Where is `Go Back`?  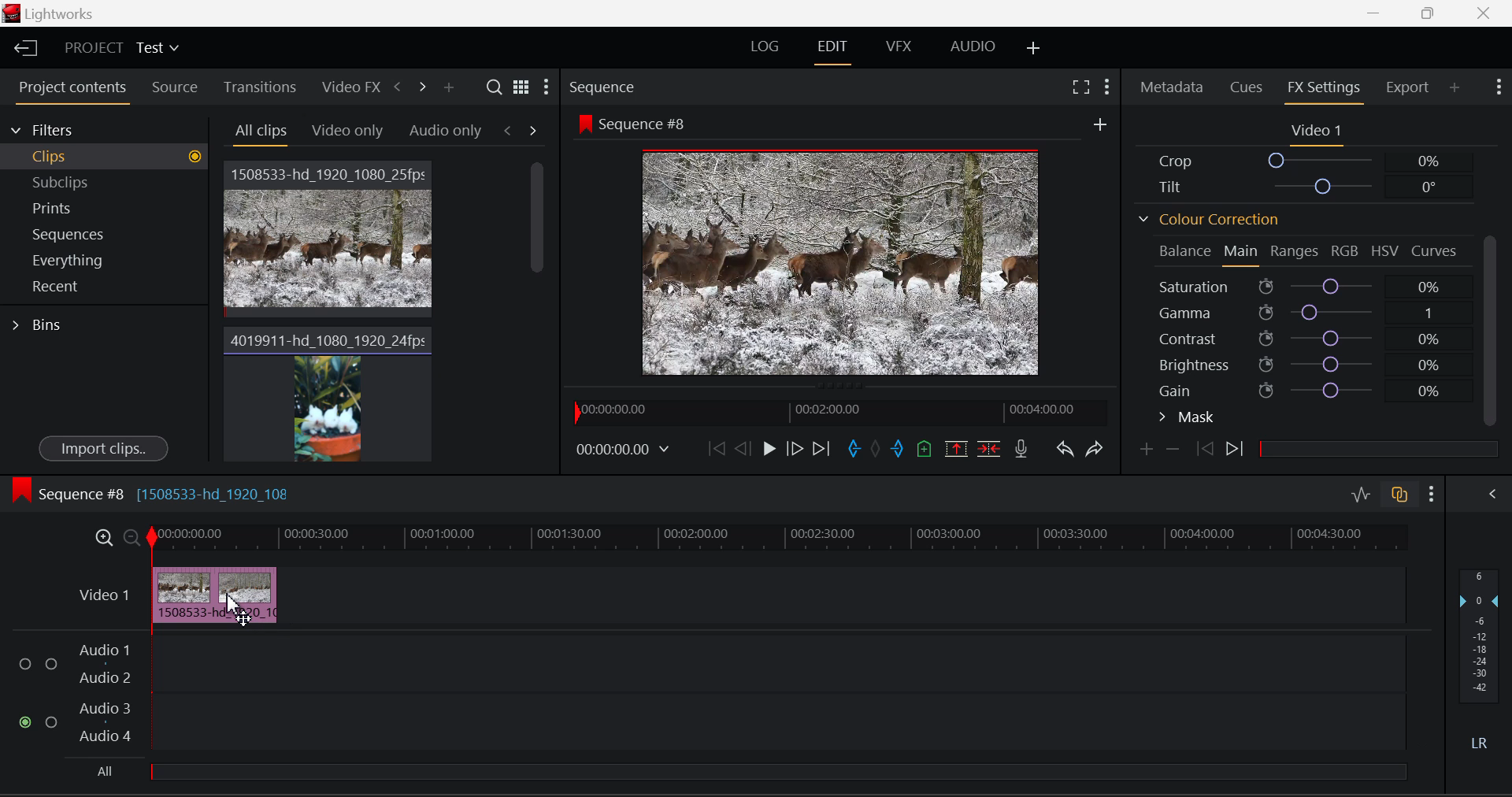 Go Back is located at coordinates (743, 449).